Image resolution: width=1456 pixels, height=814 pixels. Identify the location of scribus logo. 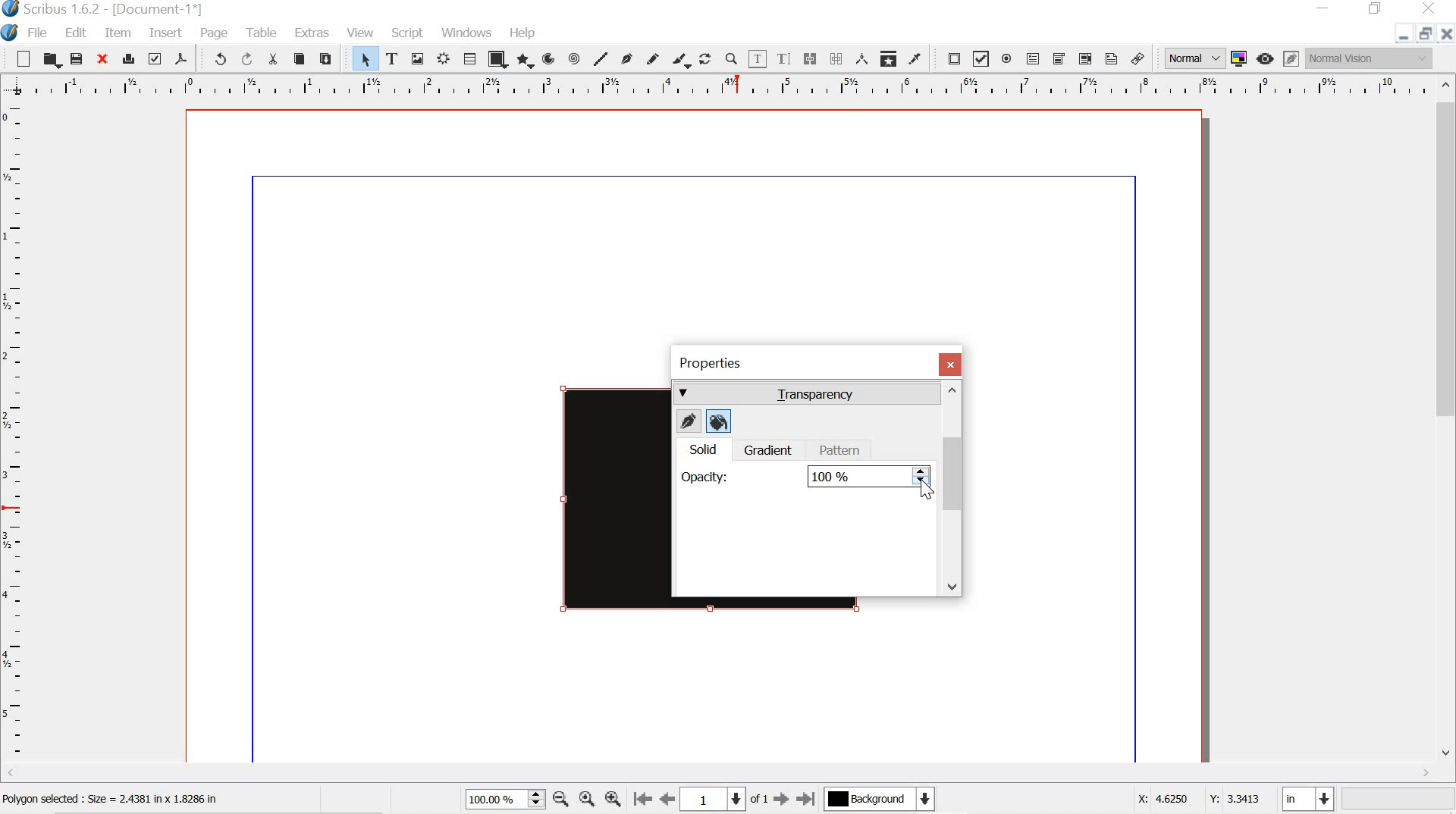
(12, 33).